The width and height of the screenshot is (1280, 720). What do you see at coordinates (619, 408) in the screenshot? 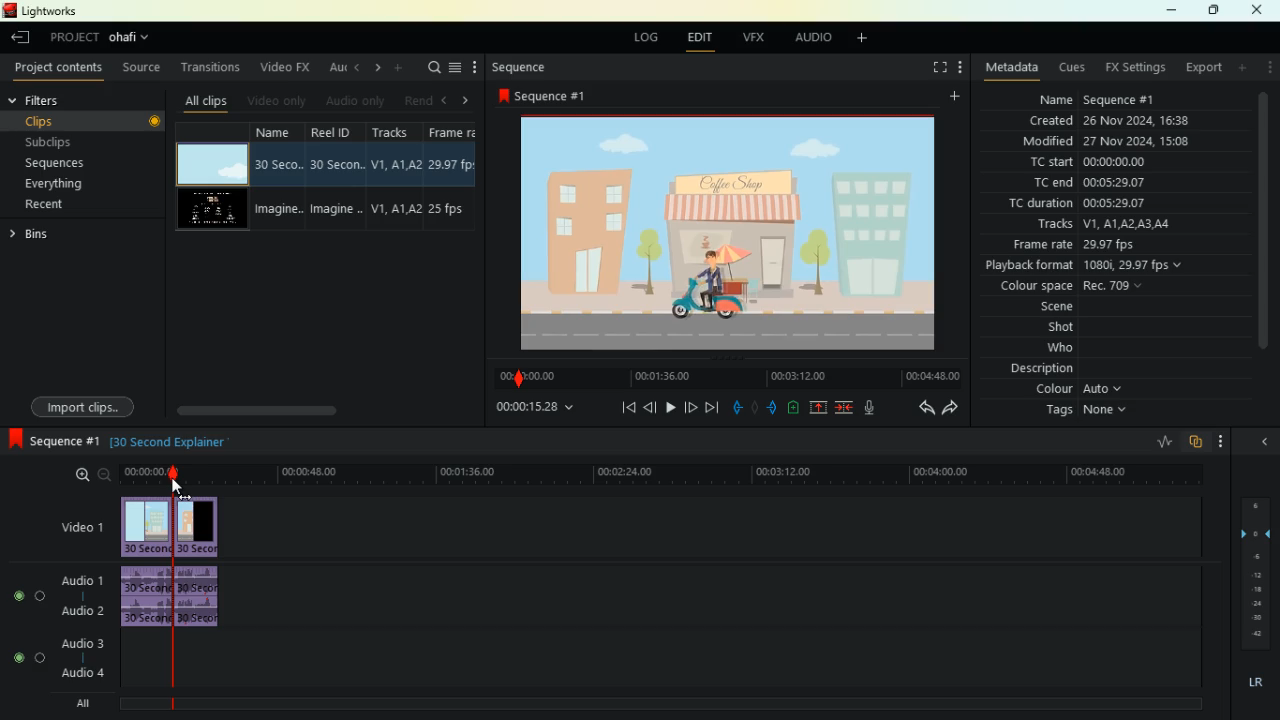
I see `beggining` at bounding box center [619, 408].